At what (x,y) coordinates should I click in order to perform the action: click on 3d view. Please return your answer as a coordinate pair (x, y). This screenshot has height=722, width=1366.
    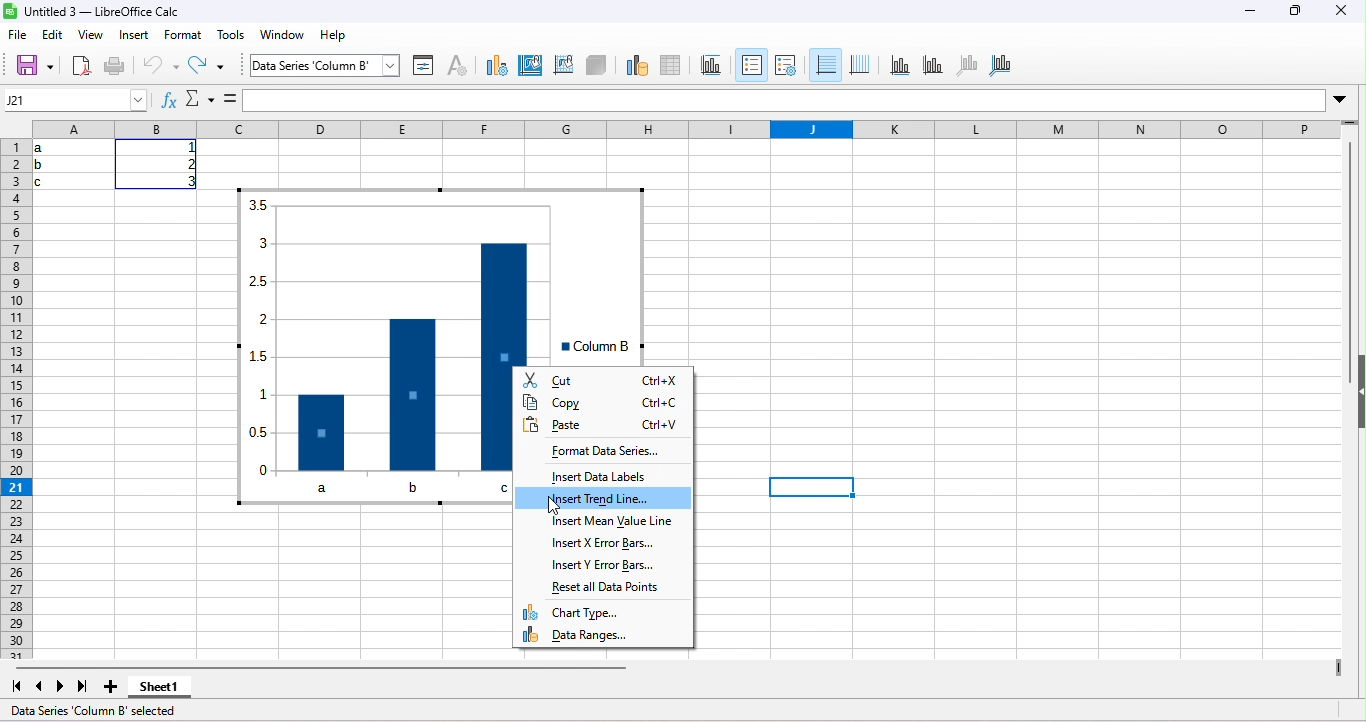
    Looking at the image, I should click on (596, 67).